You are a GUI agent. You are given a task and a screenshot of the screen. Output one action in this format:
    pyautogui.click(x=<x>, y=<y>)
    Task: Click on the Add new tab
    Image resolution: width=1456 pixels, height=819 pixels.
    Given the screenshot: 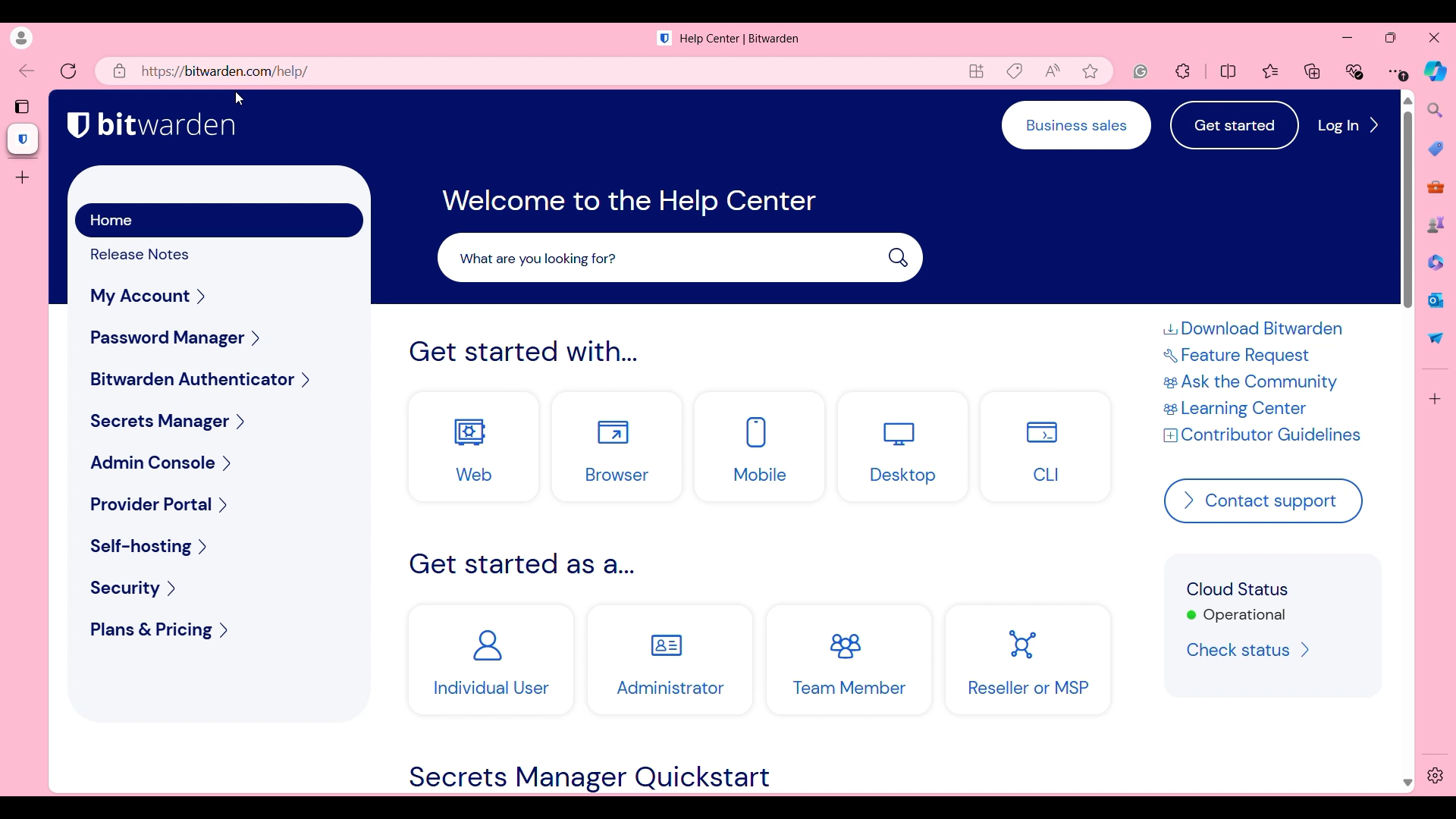 What is the action you would take?
    pyautogui.click(x=21, y=178)
    